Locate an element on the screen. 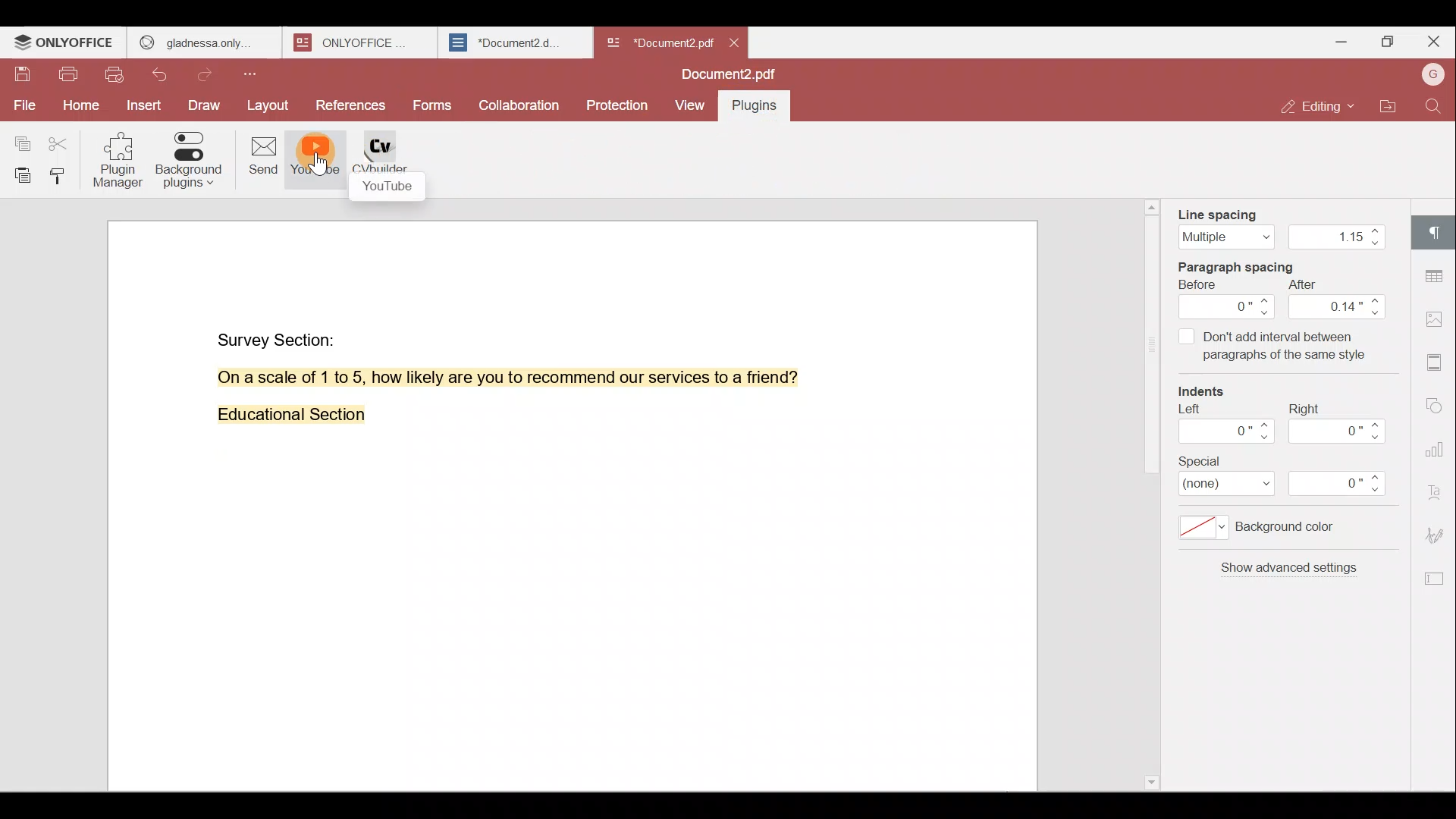 The image size is (1456, 819). Minimize is located at coordinates (1337, 40).